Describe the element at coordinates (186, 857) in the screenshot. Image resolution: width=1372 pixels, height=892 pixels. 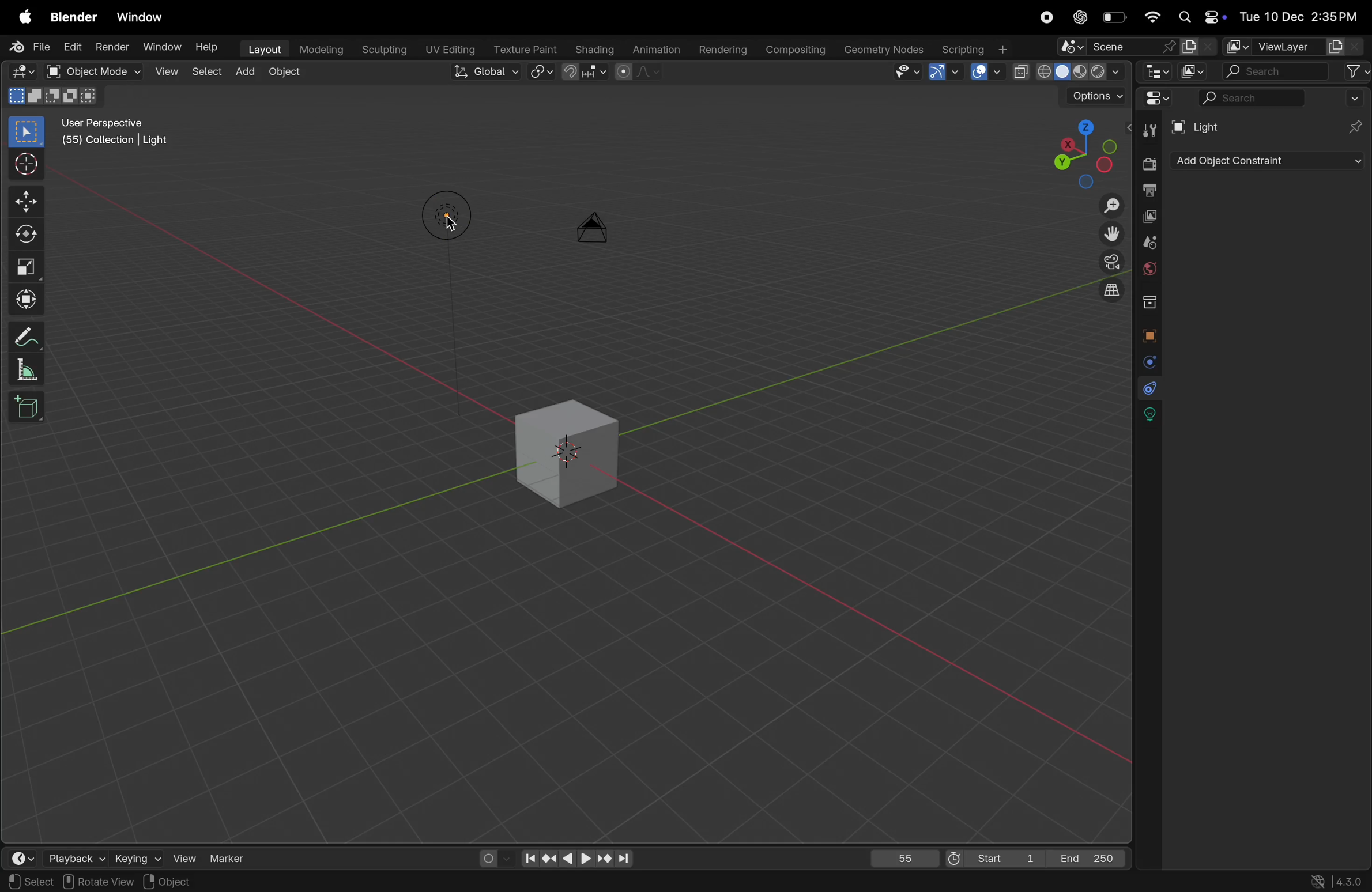
I see `view` at that location.